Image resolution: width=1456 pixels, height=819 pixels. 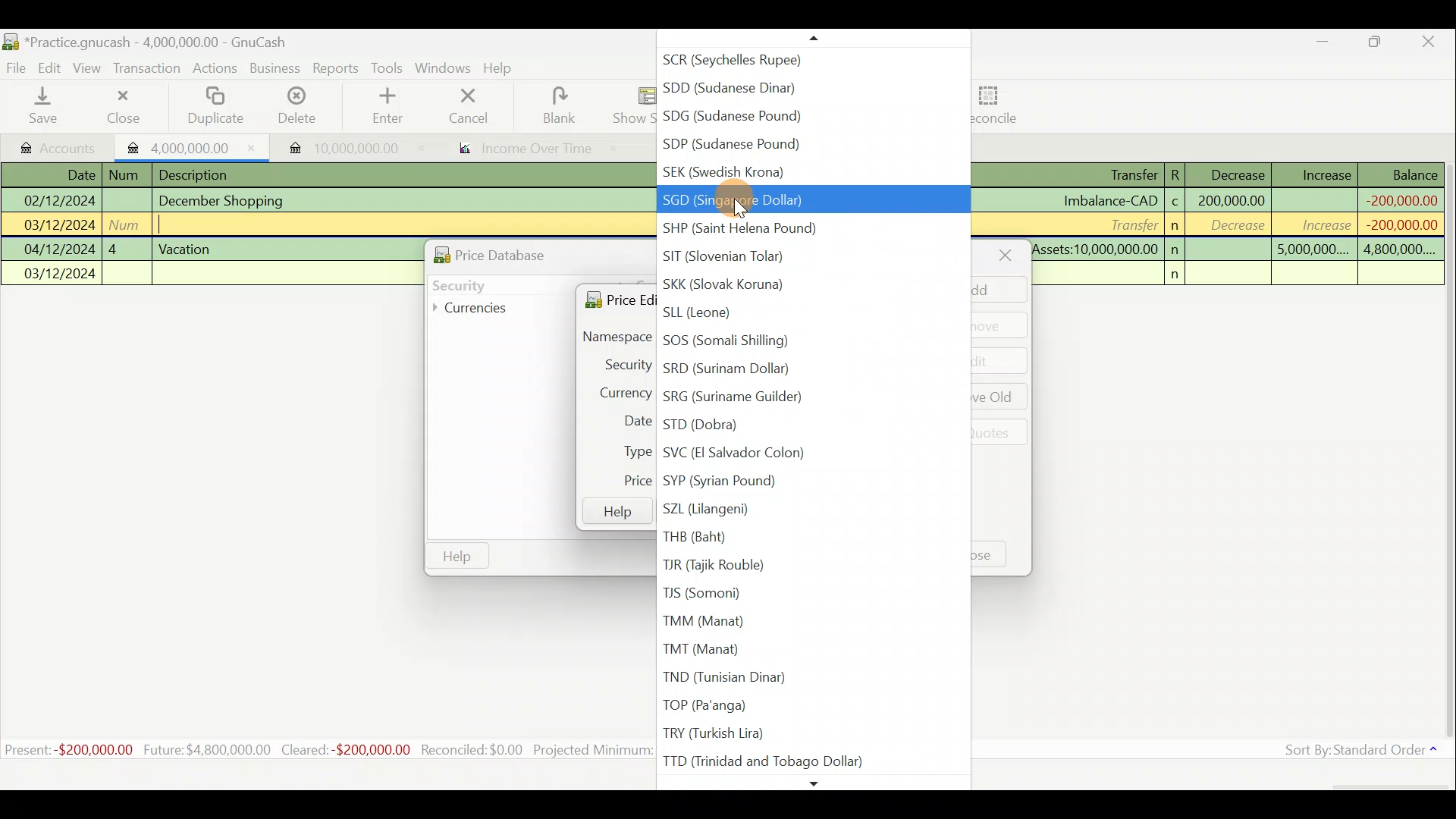 What do you see at coordinates (457, 557) in the screenshot?
I see `Help` at bounding box center [457, 557].